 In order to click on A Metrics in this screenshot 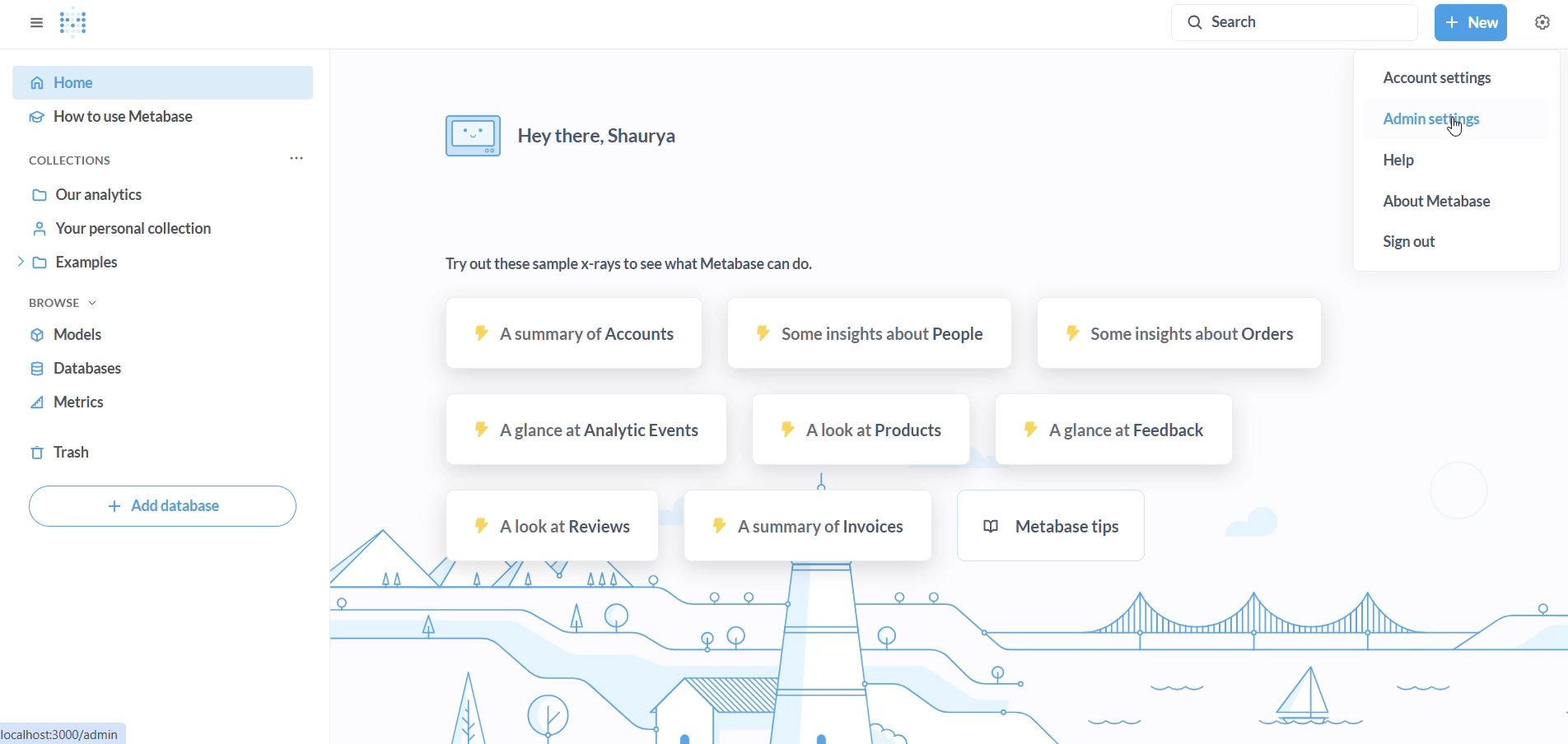, I will do `click(68, 402)`.